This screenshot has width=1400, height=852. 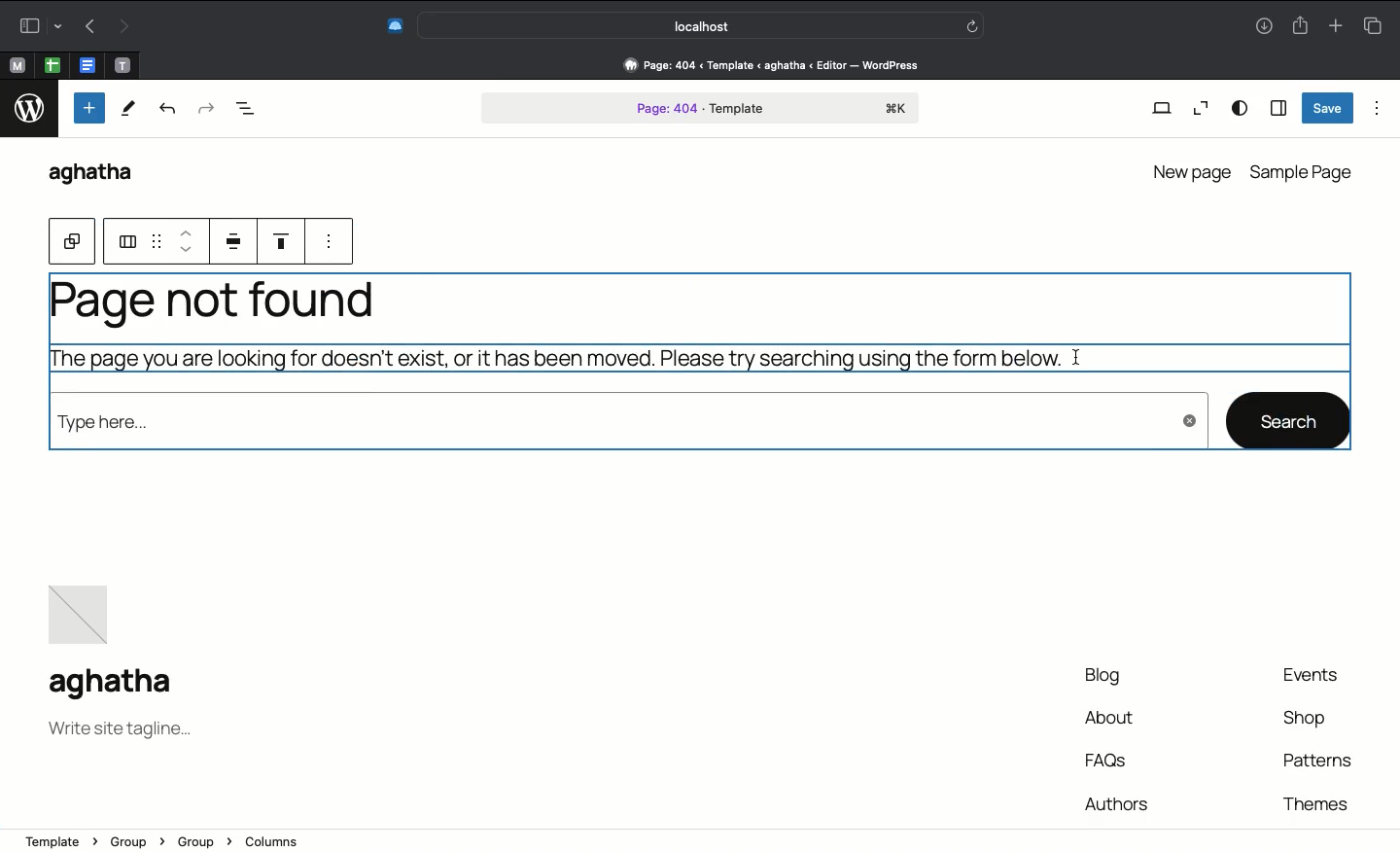 I want to click on Sidebar, so click(x=37, y=25).